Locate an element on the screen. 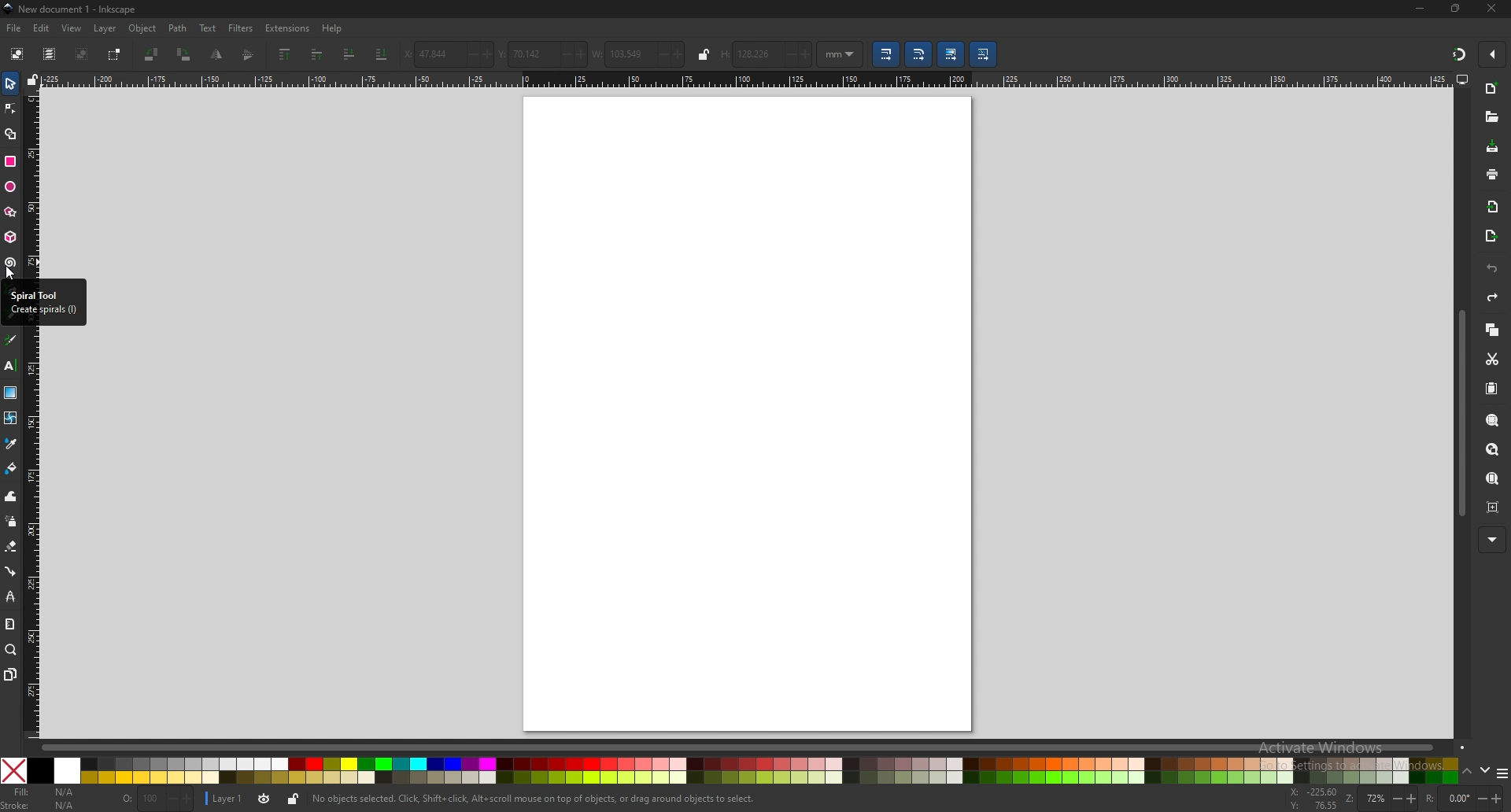 The width and height of the screenshot is (1511, 812). copy is located at coordinates (1492, 329).